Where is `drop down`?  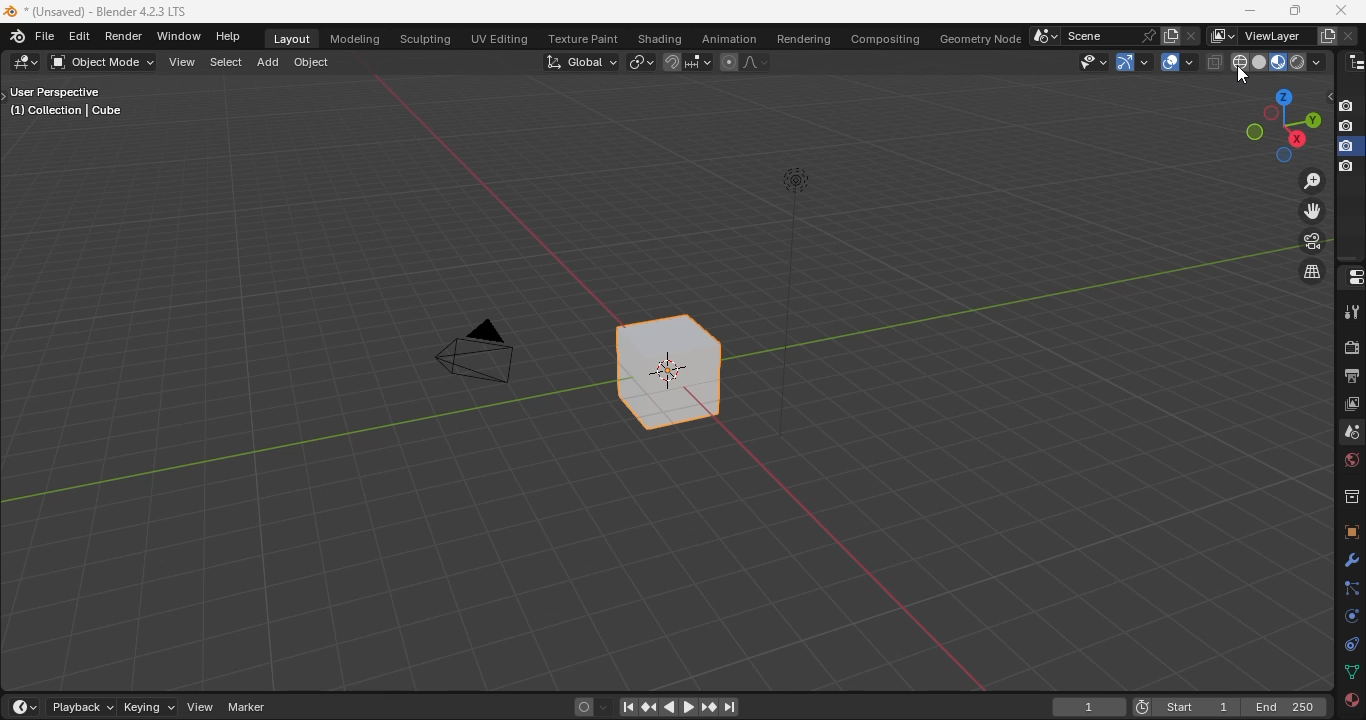
drop down is located at coordinates (1318, 62).